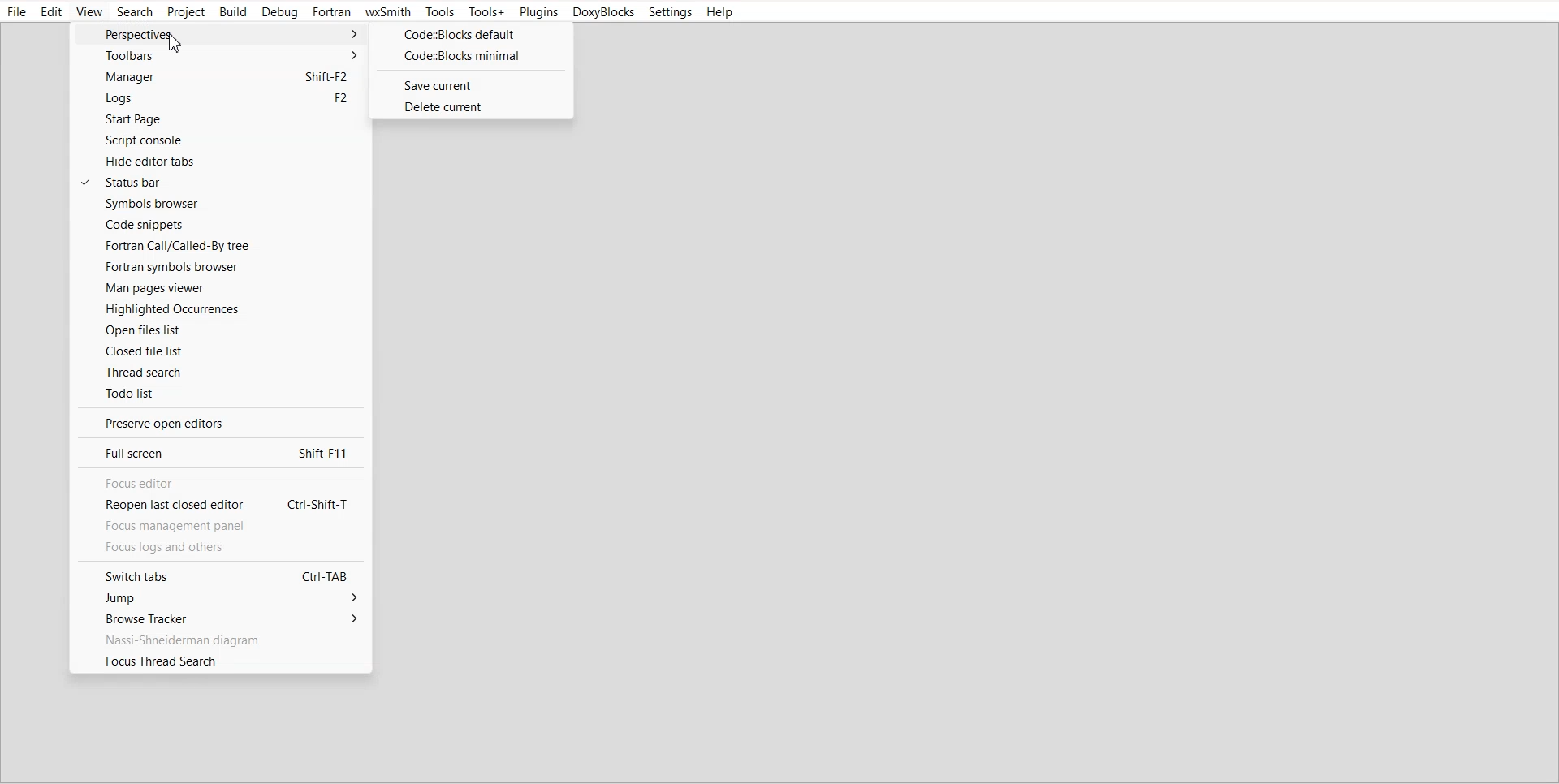  I want to click on Settings, so click(671, 12).